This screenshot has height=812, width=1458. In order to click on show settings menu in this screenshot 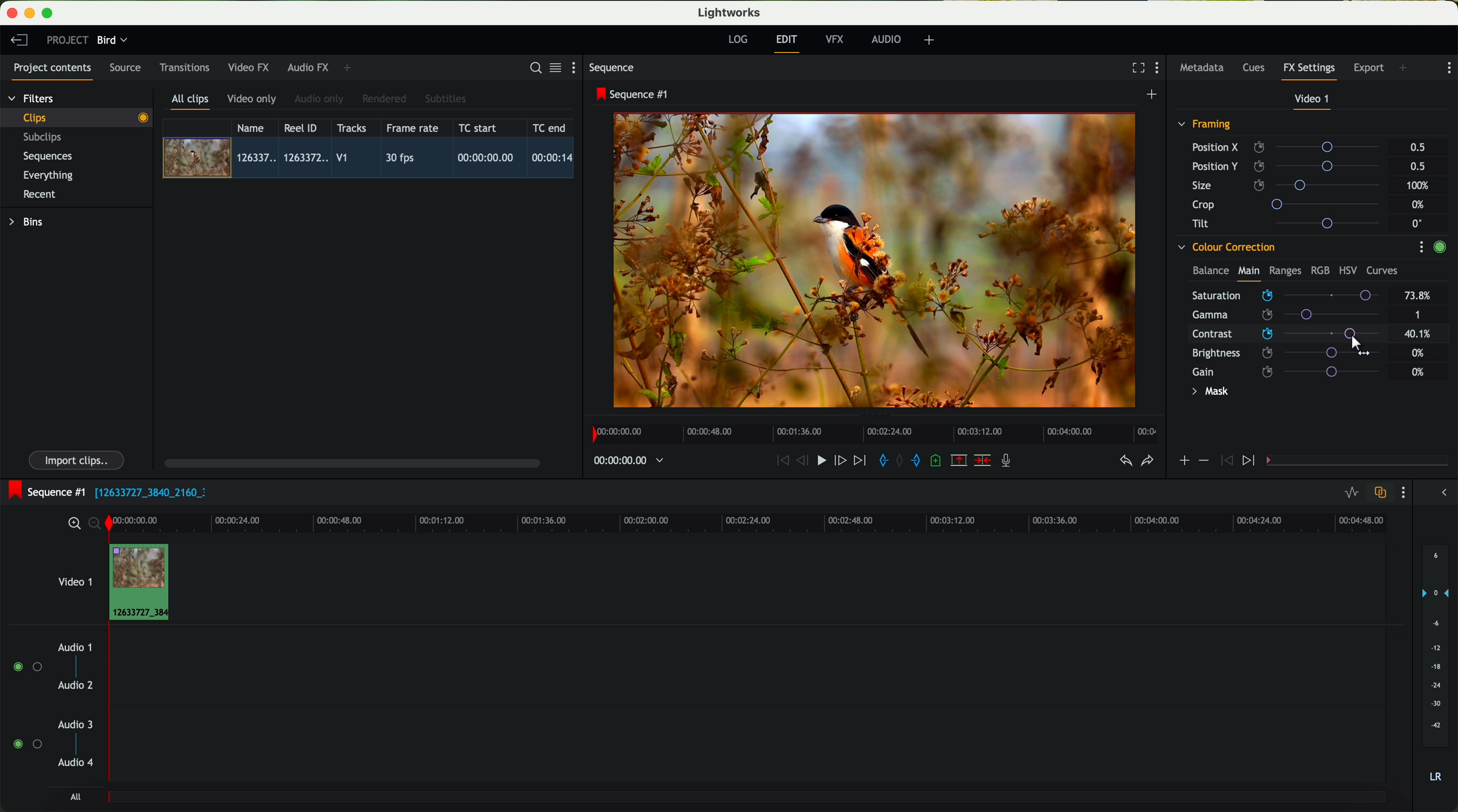, I will do `click(578, 67)`.